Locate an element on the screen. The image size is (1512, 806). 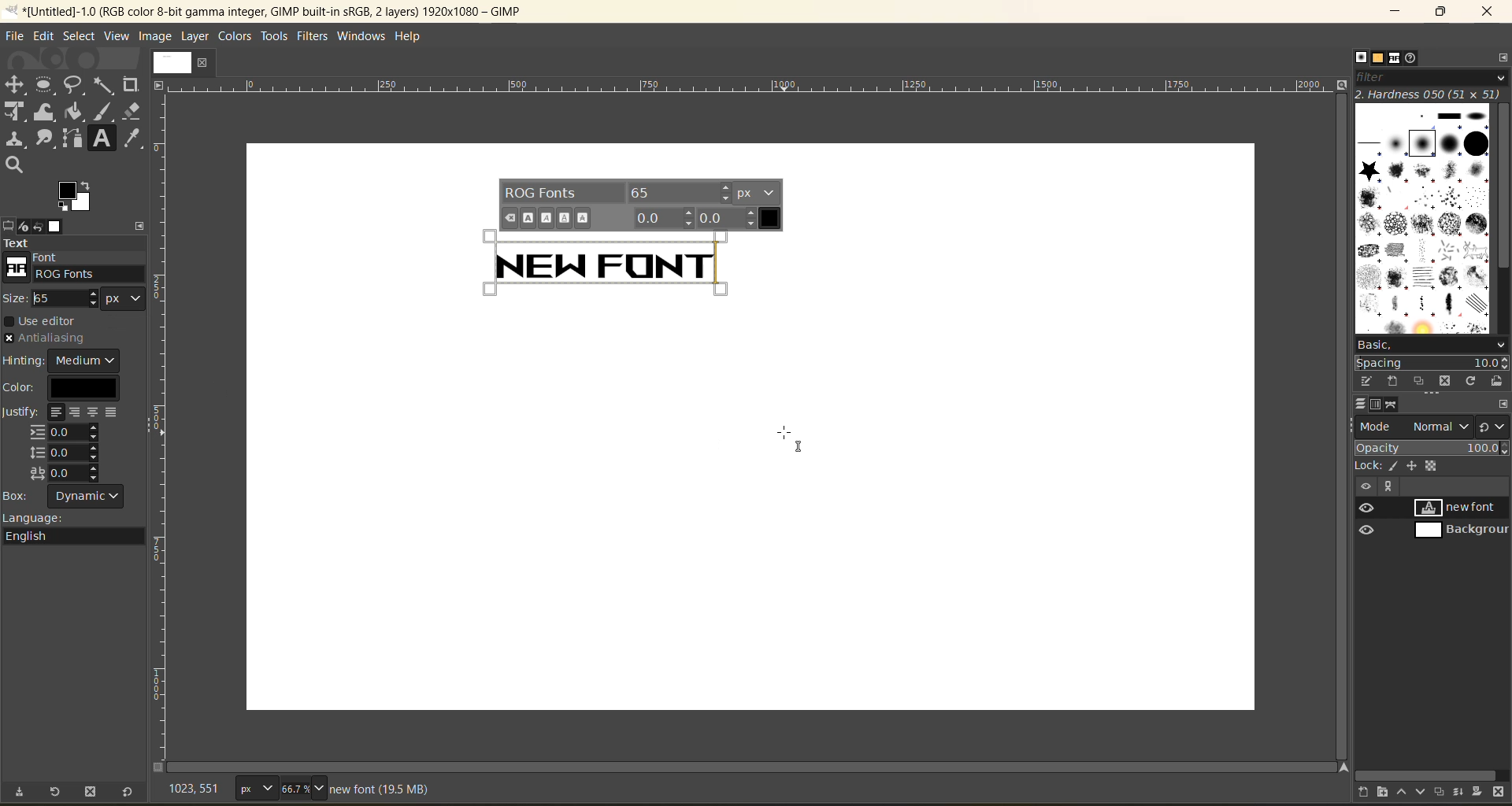
language is located at coordinates (78, 529).